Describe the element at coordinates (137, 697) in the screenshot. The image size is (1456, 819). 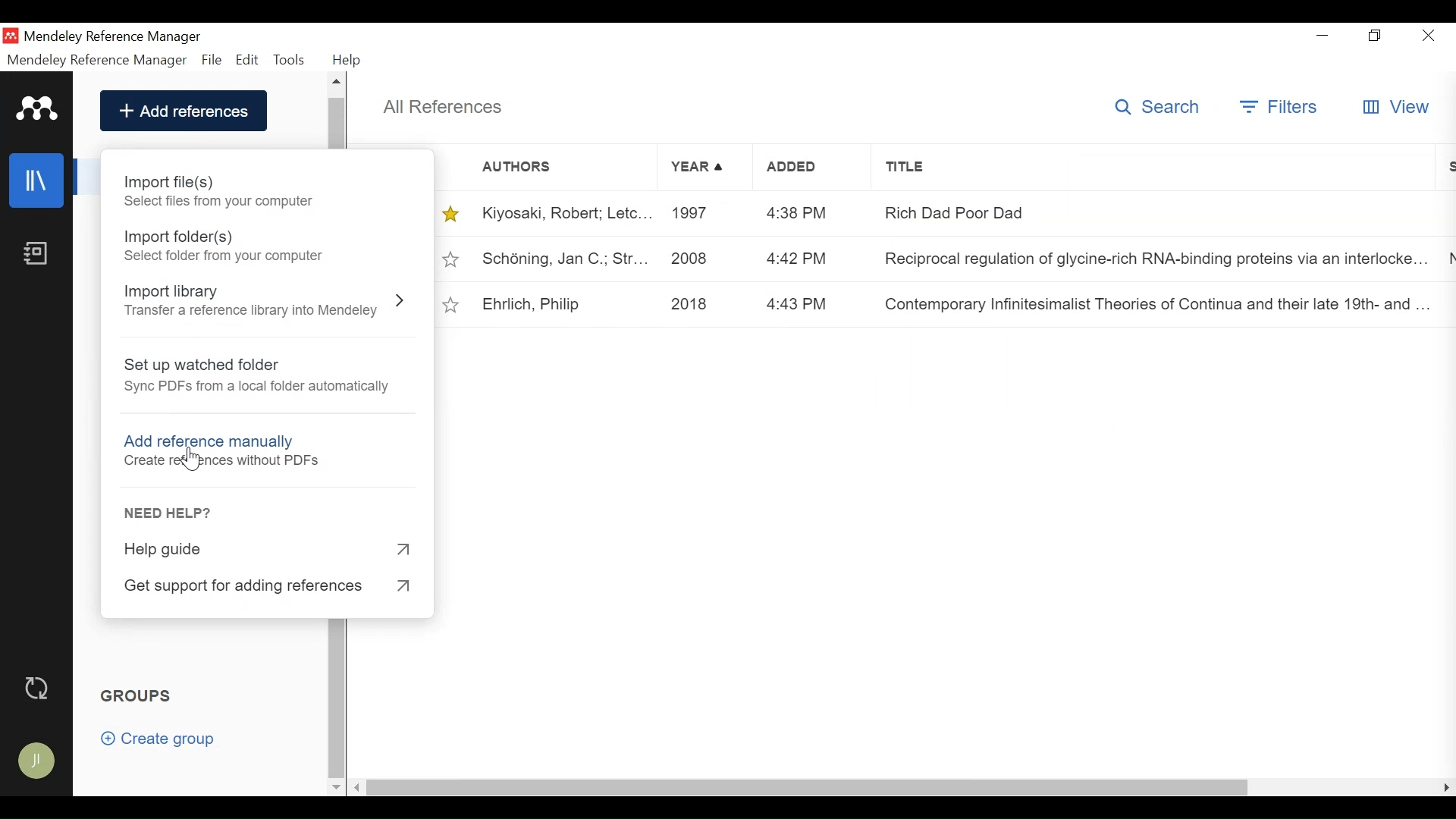
I see `Groups ` at that location.